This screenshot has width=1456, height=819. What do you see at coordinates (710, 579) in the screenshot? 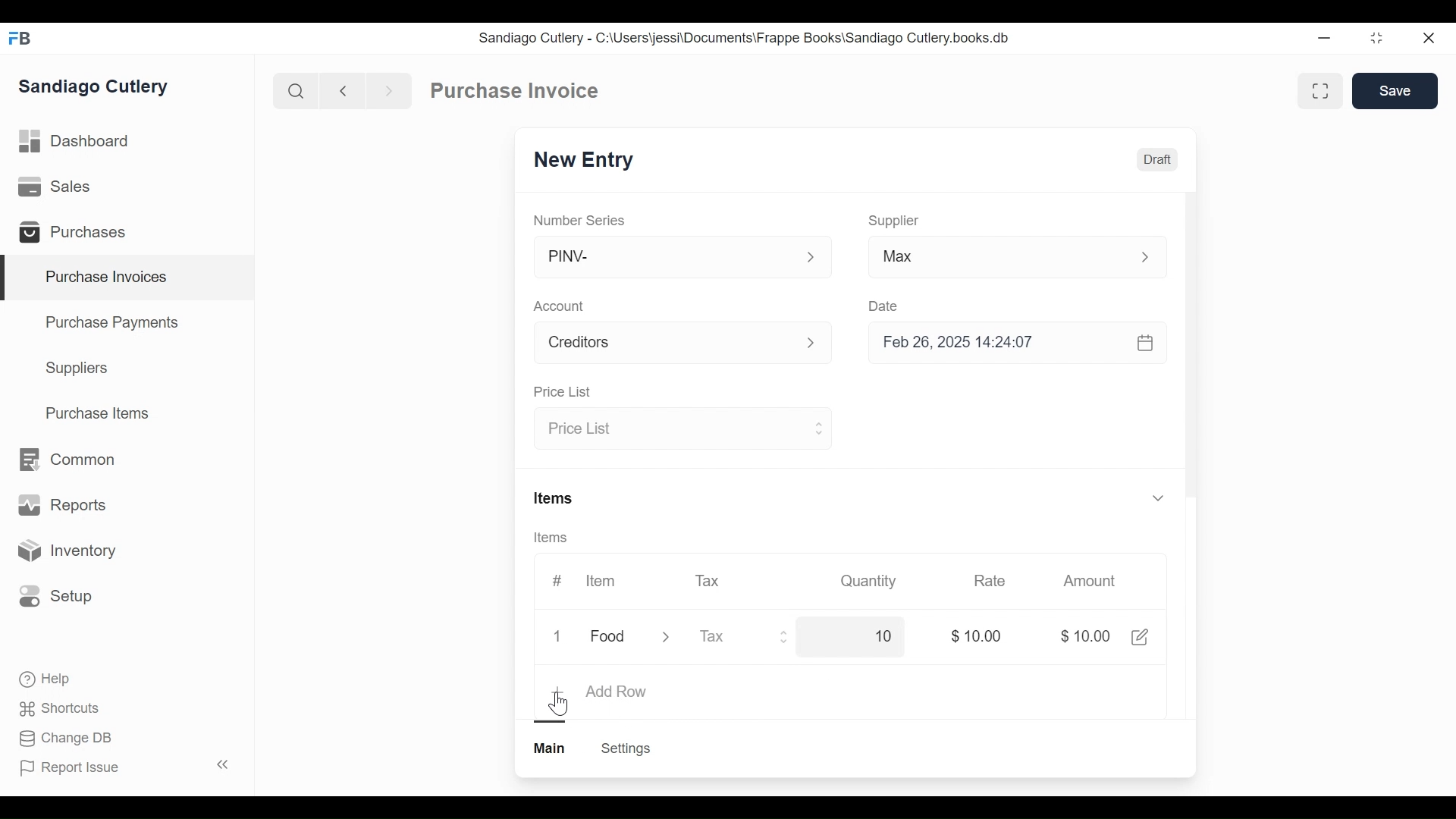
I see `Tax` at bounding box center [710, 579].